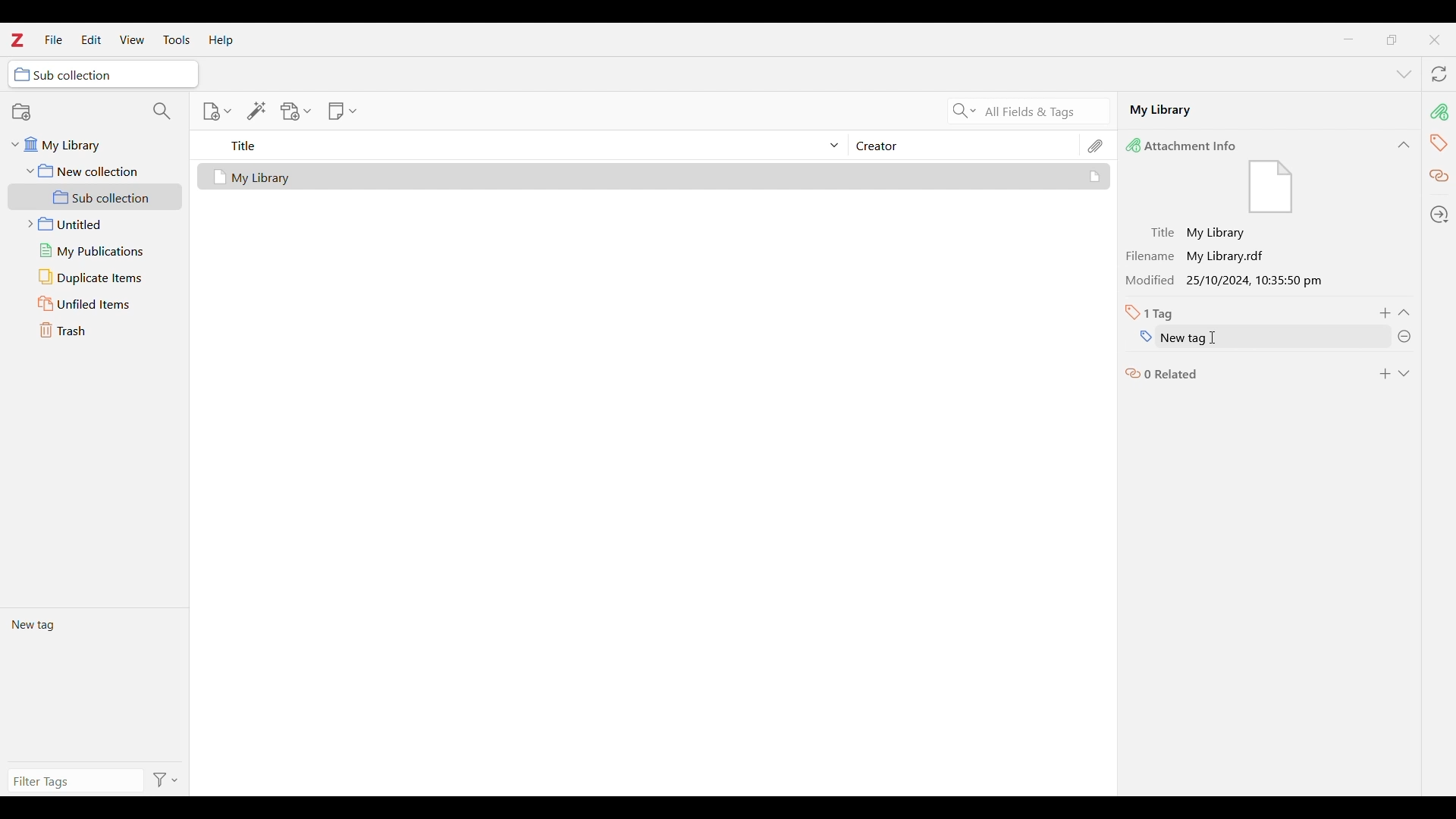 Image resolution: width=1456 pixels, height=819 pixels. Describe the element at coordinates (53, 39) in the screenshot. I see `File menu` at that location.